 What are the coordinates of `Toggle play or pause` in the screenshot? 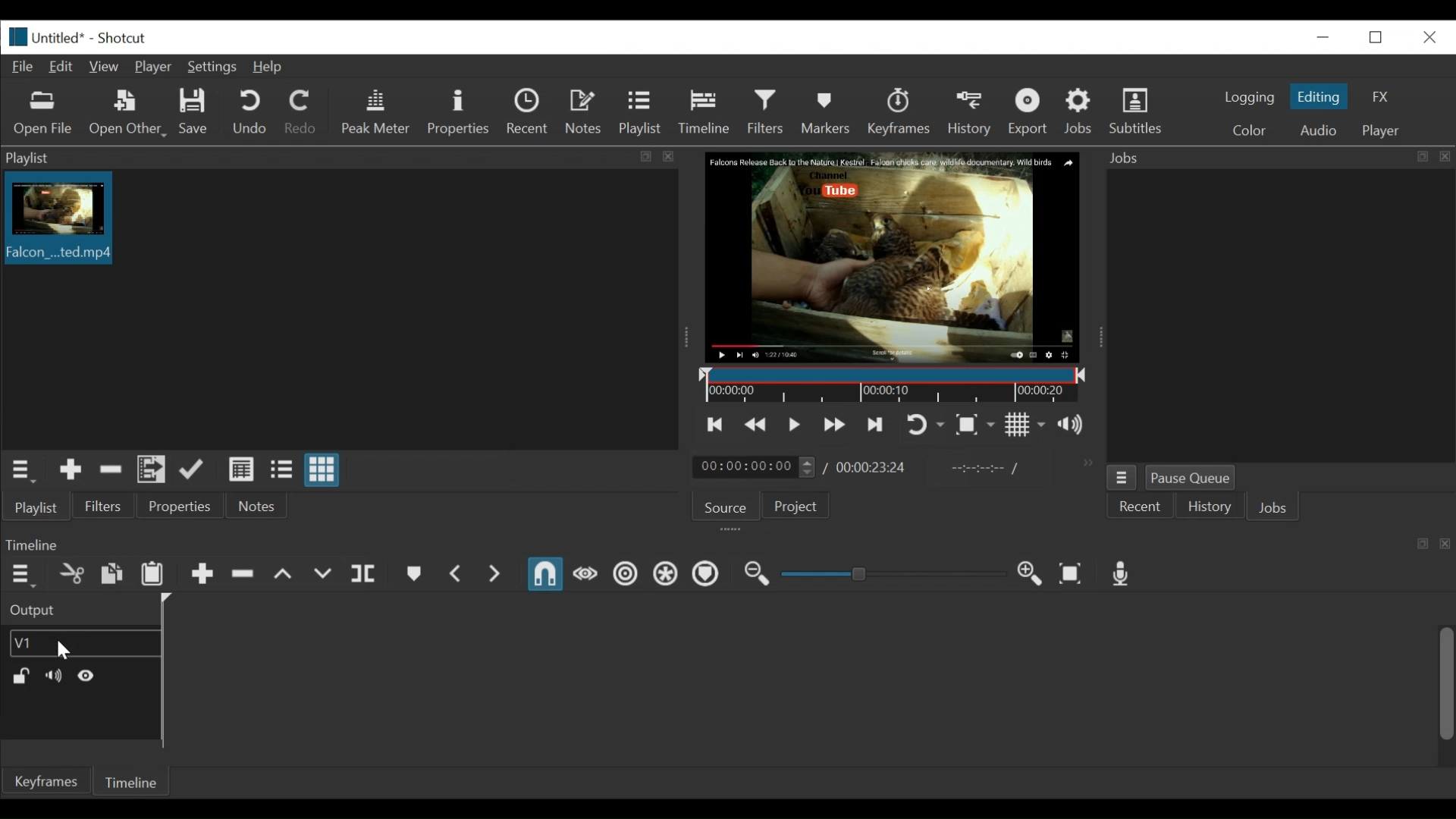 It's located at (795, 425).